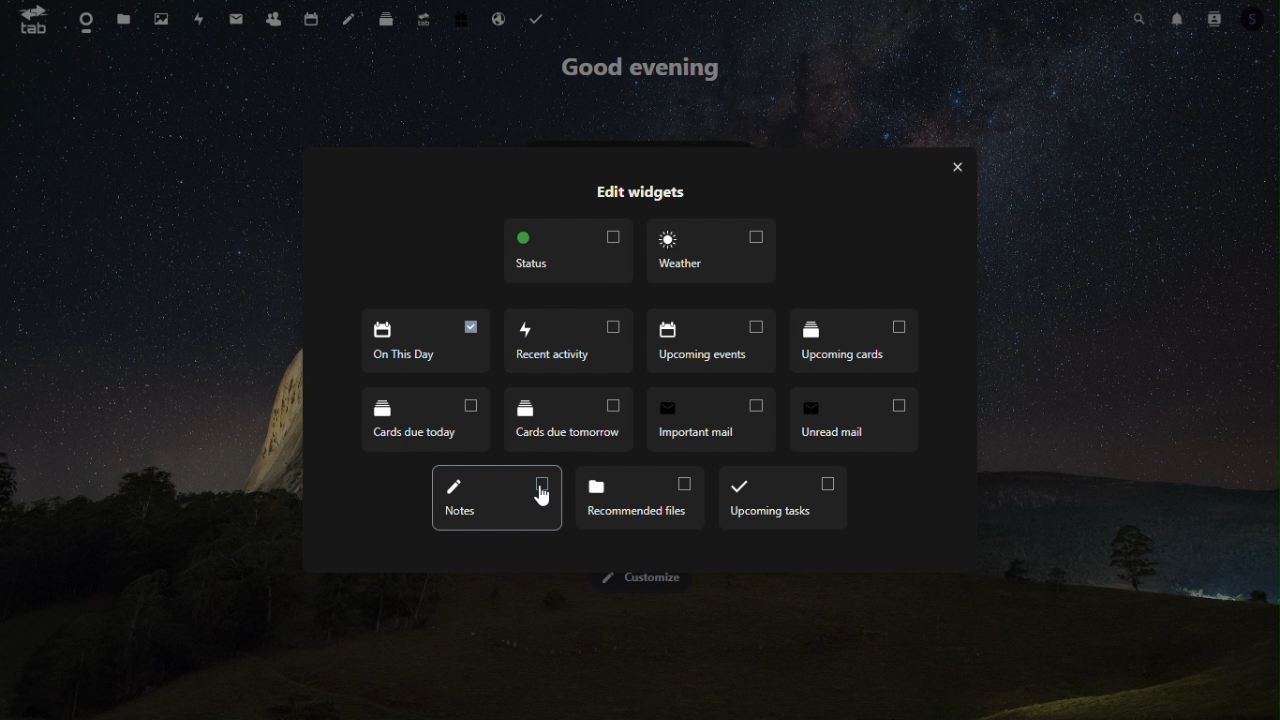 This screenshot has height=720, width=1280. I want to click on Cursor, so click(545, 499).